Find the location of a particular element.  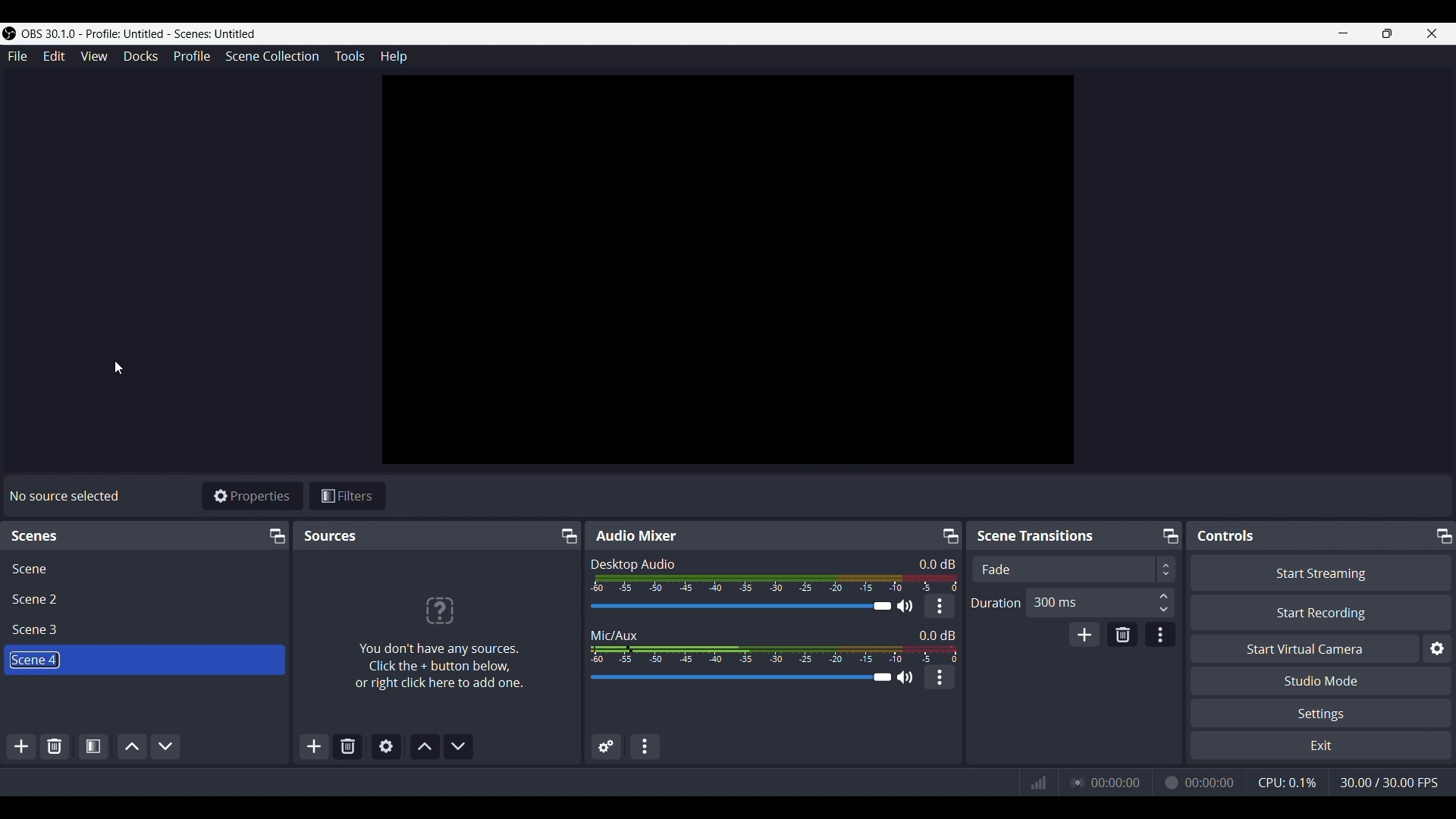

Docks is located at coordinates (141, 57).